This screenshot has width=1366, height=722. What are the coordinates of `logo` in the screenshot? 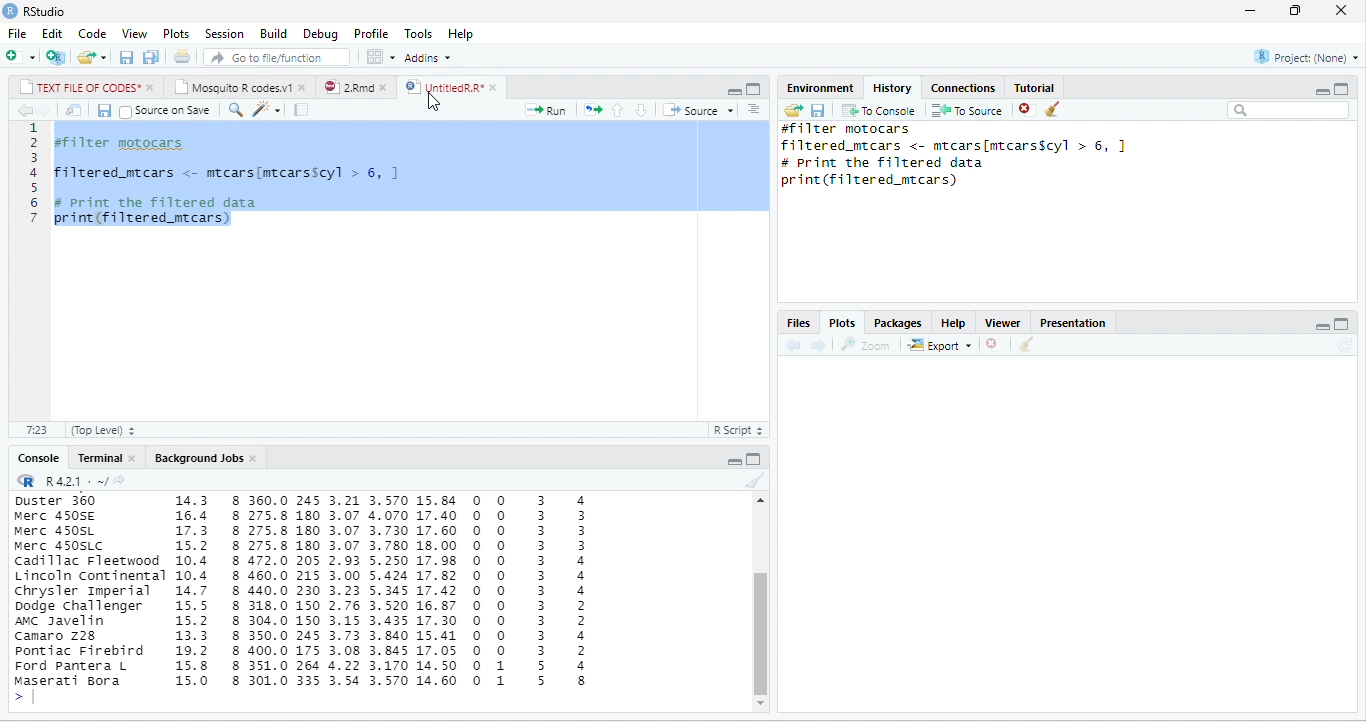 It's located at (10, 11).